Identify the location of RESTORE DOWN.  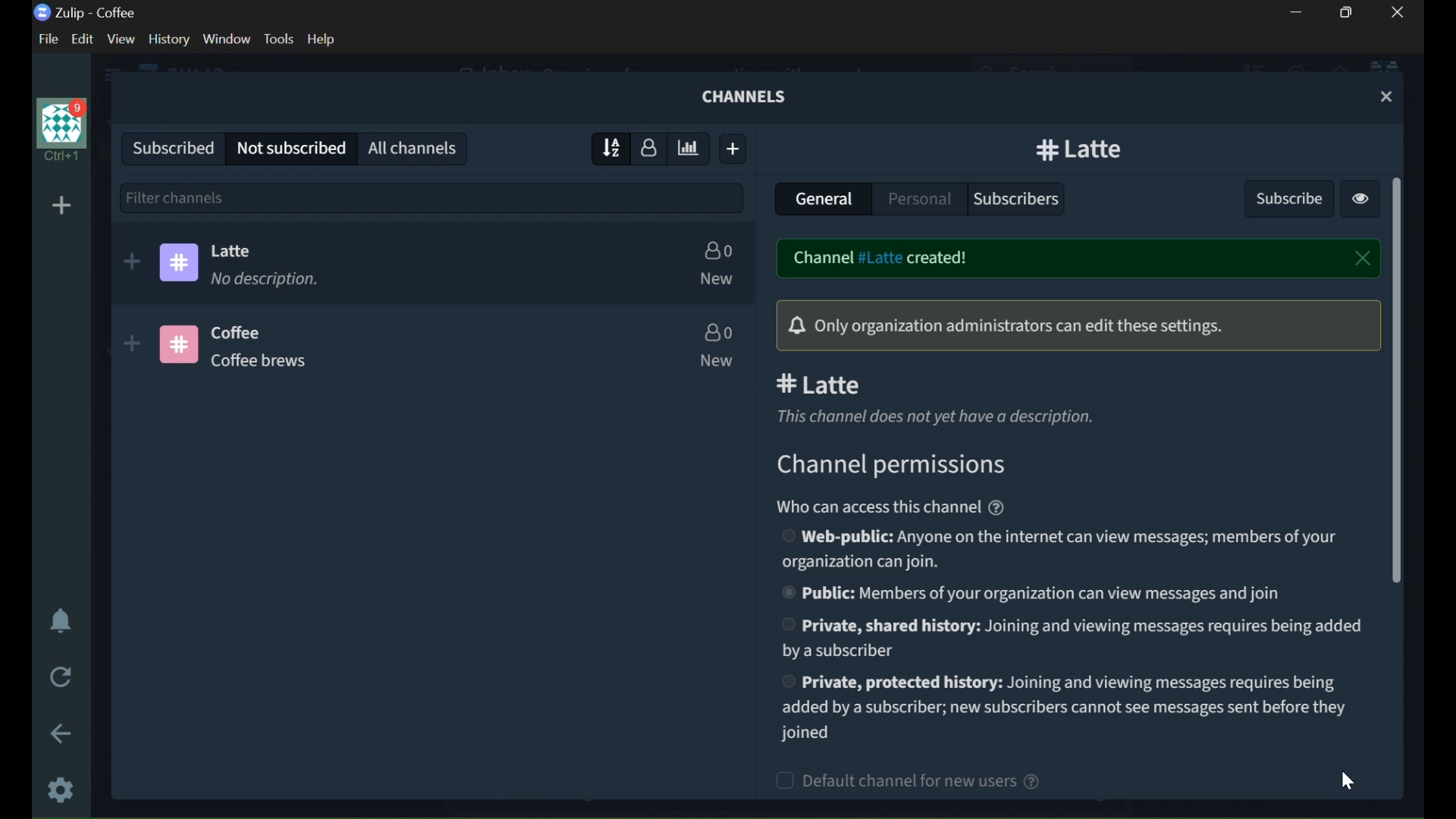
(1350, 12).